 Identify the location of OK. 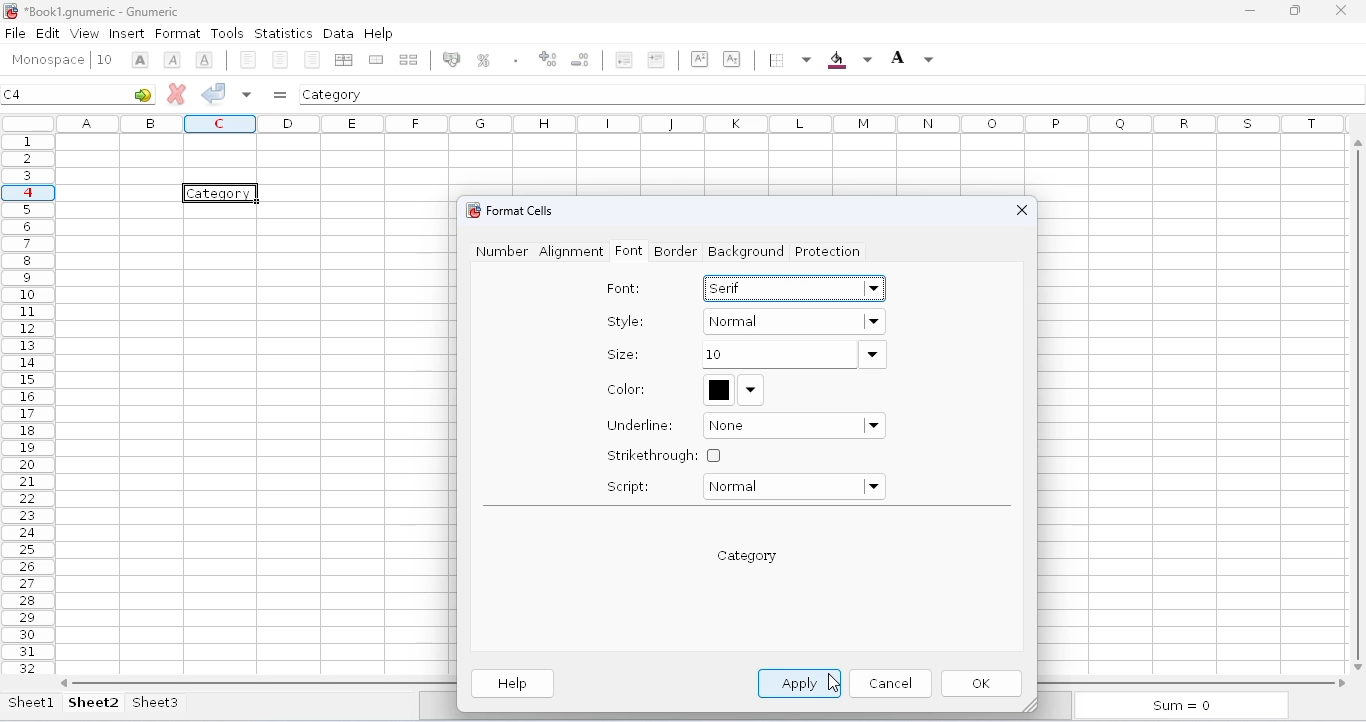
(984, 684).